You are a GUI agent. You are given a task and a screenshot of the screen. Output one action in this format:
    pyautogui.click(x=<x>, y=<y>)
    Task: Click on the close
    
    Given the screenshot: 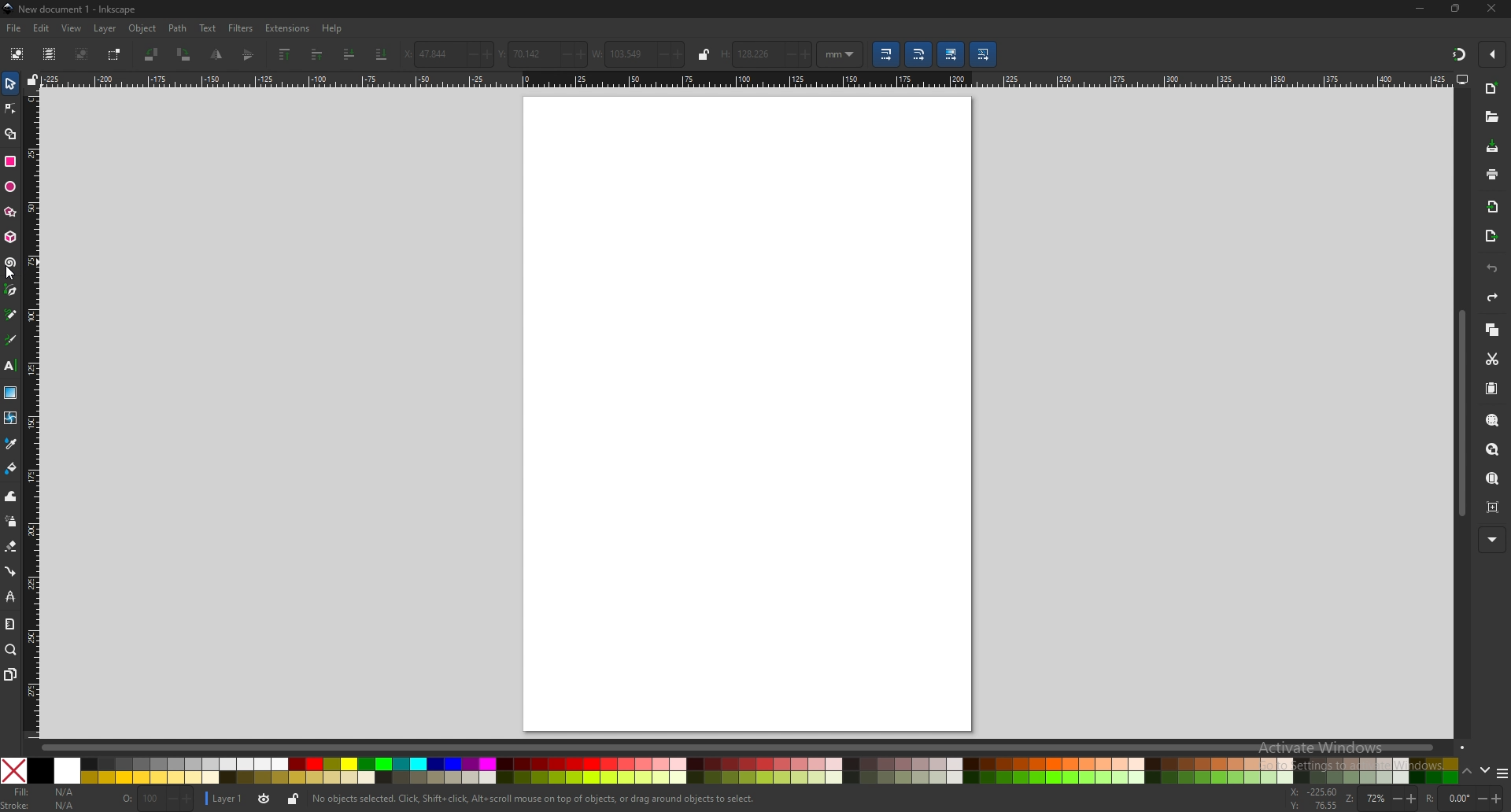 What is the action you would take?
    pyautogui.click(x=1491, y=9)
    